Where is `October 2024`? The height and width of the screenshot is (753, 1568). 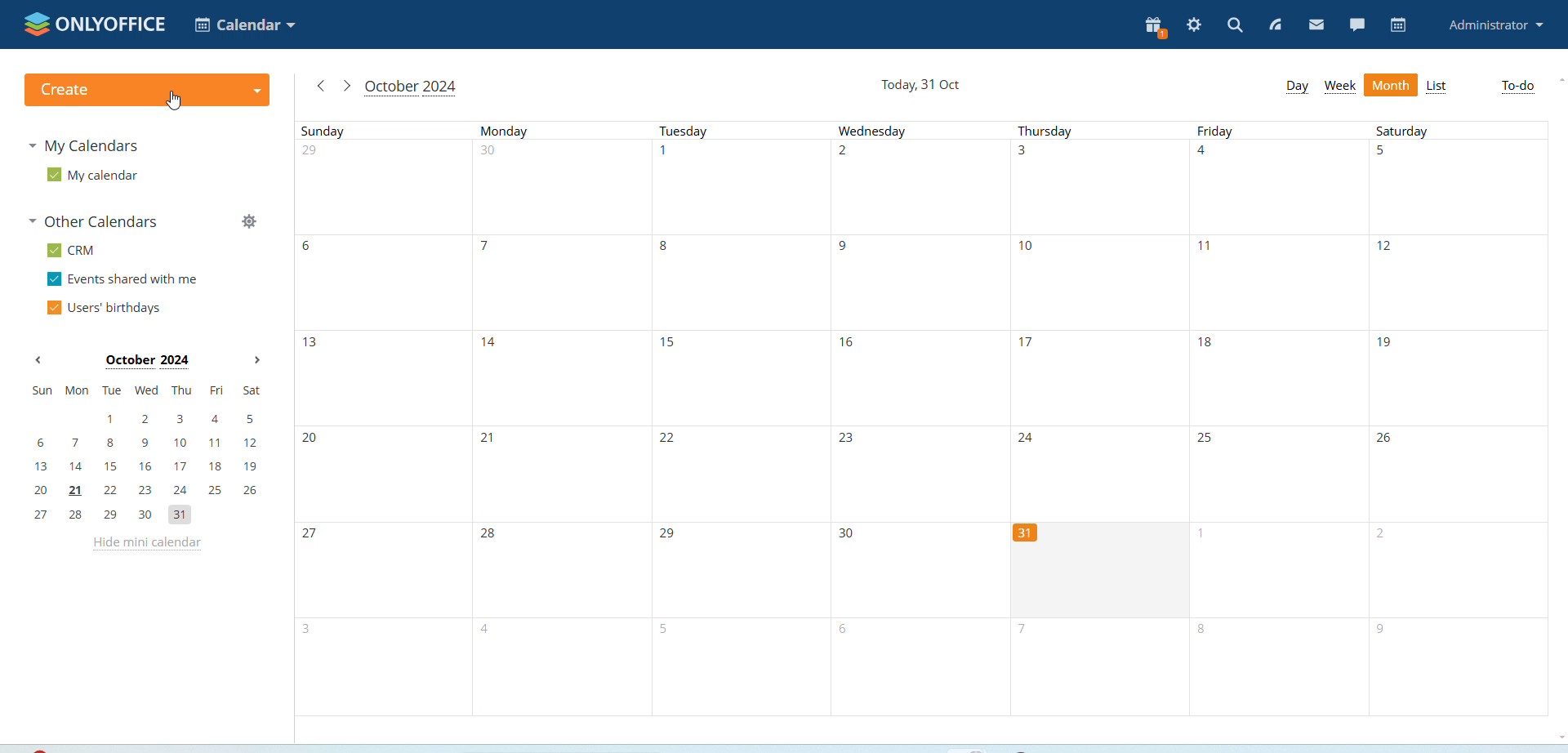 October 2024 is located at coordinates (147, 360).